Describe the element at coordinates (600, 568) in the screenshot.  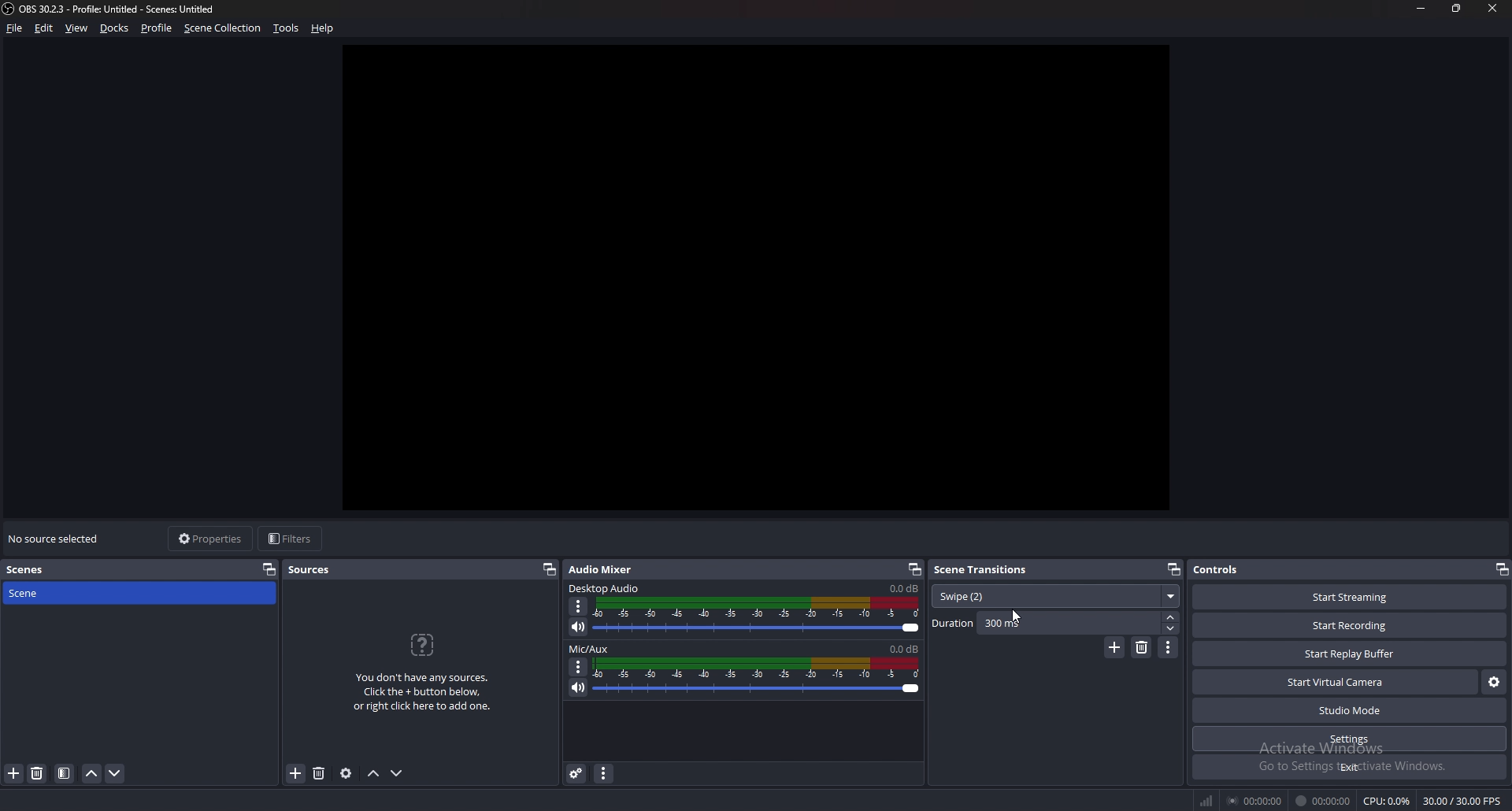
I see `audio mixer` at that location.